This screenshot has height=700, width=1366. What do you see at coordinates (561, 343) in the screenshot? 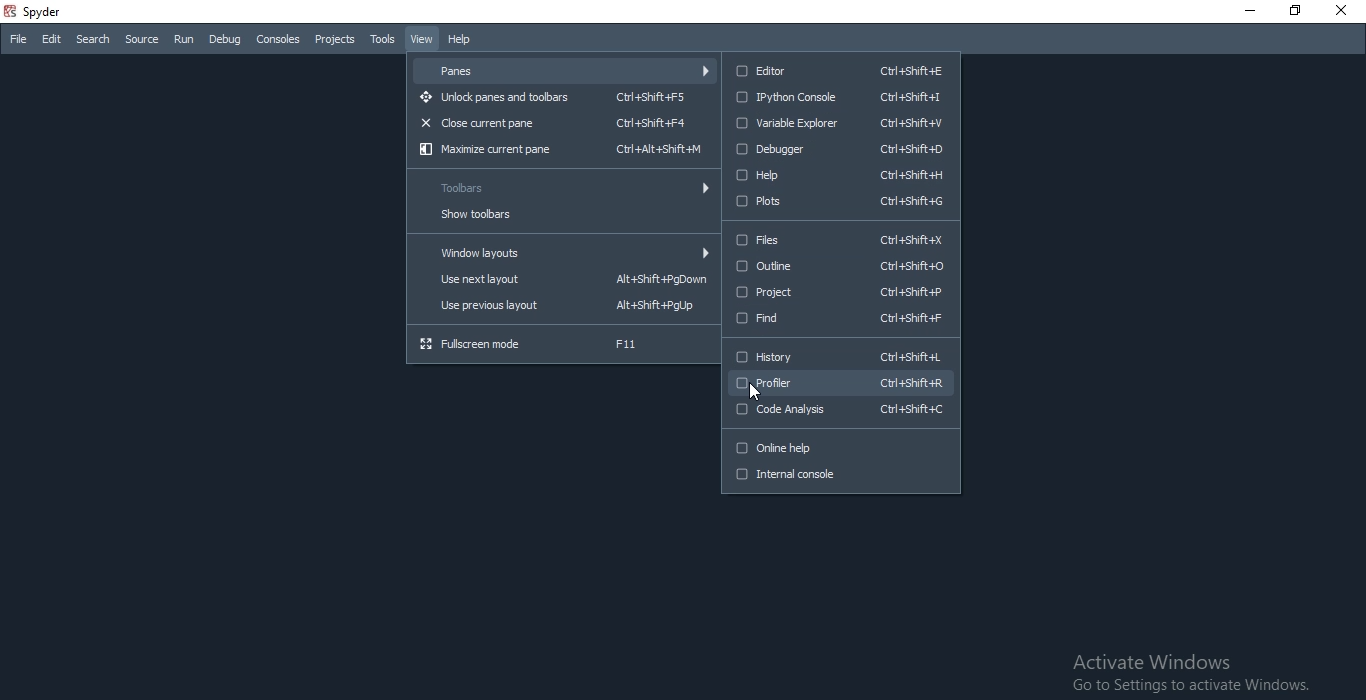
I see `Fullscreen mode` at bounding box center [561, 343].